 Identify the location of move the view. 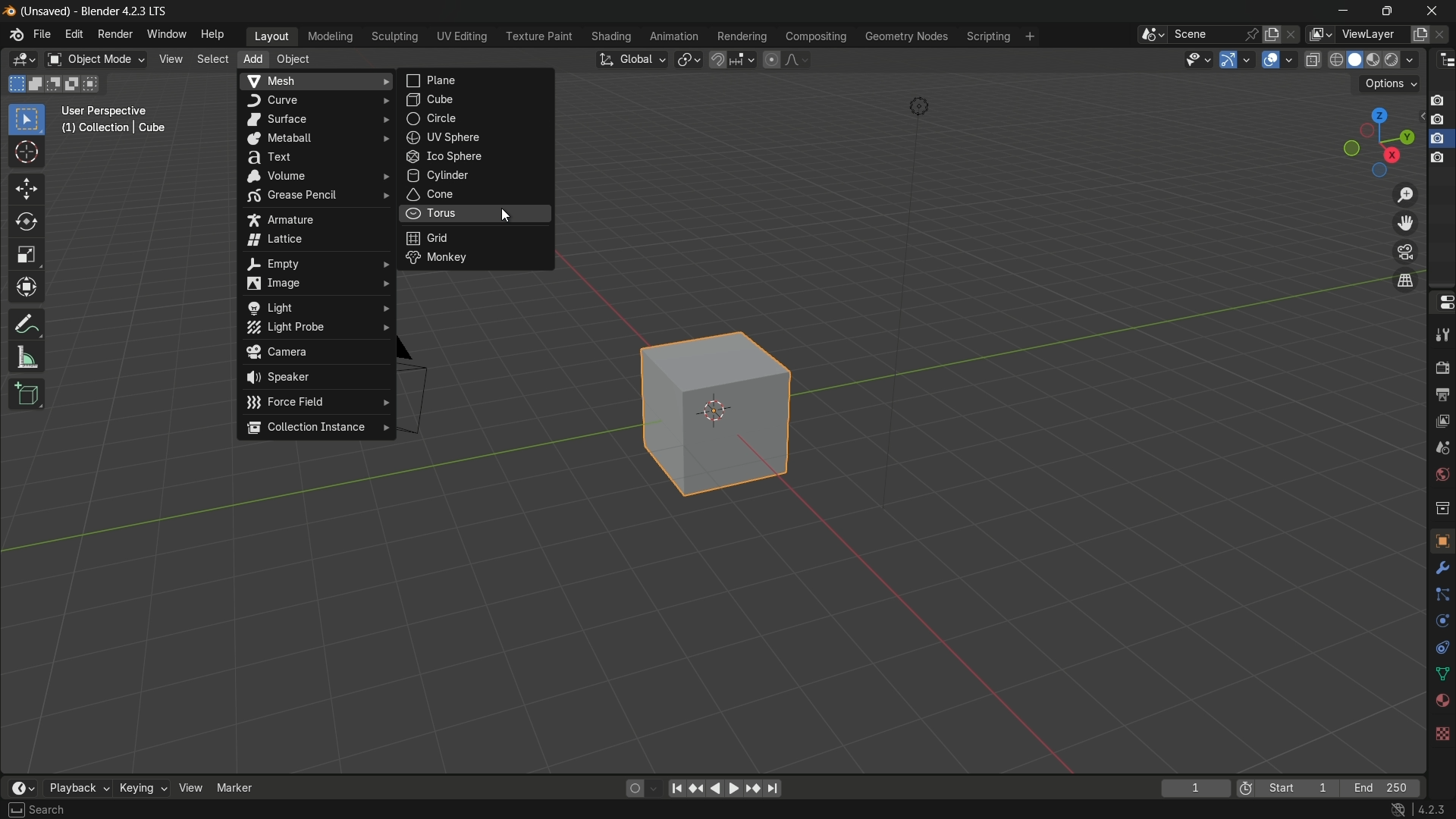
(1404, 224).